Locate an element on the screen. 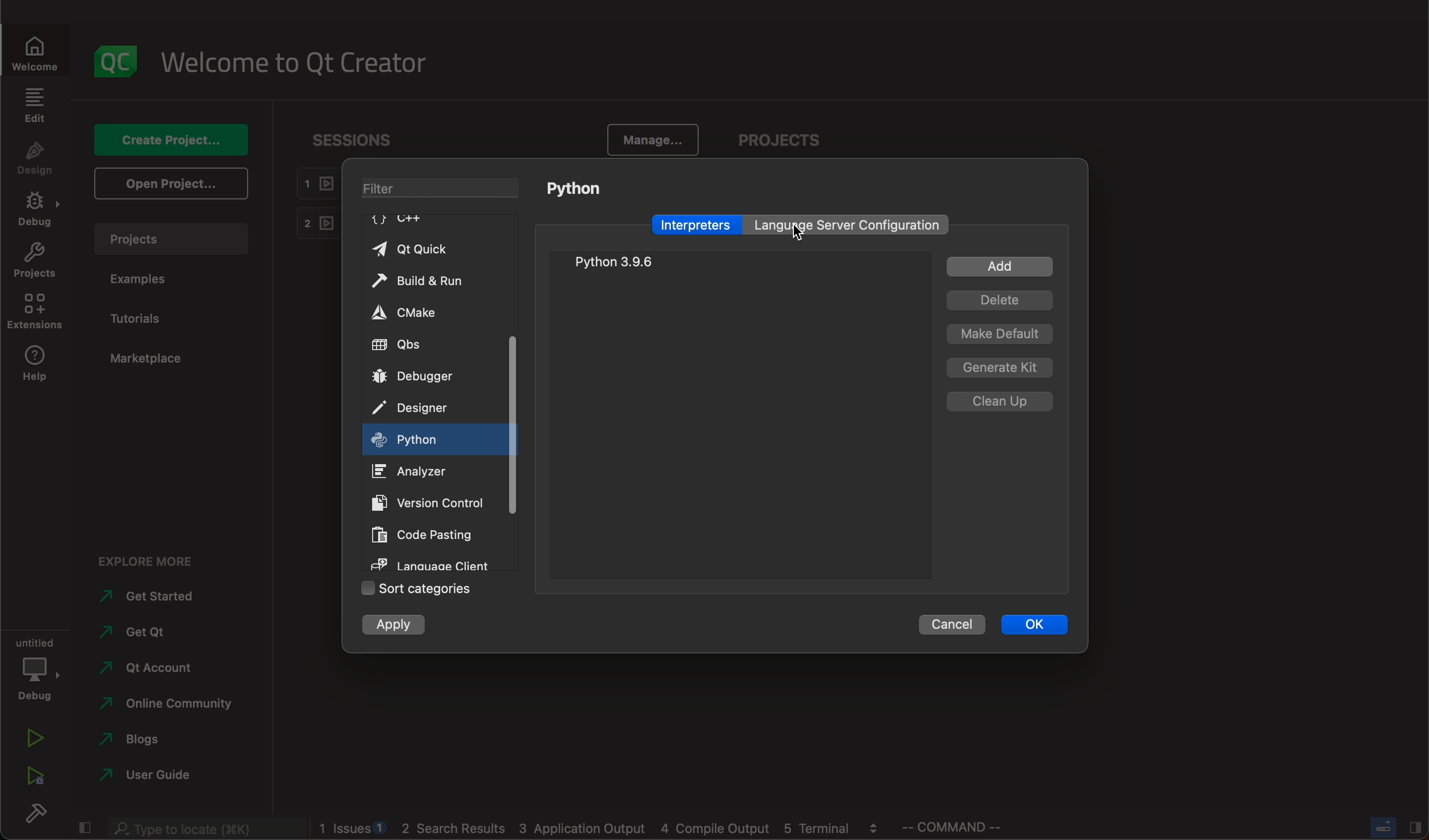 This screenshot has width=1429, height=840. marketplace is located at coordinates (153, 360).